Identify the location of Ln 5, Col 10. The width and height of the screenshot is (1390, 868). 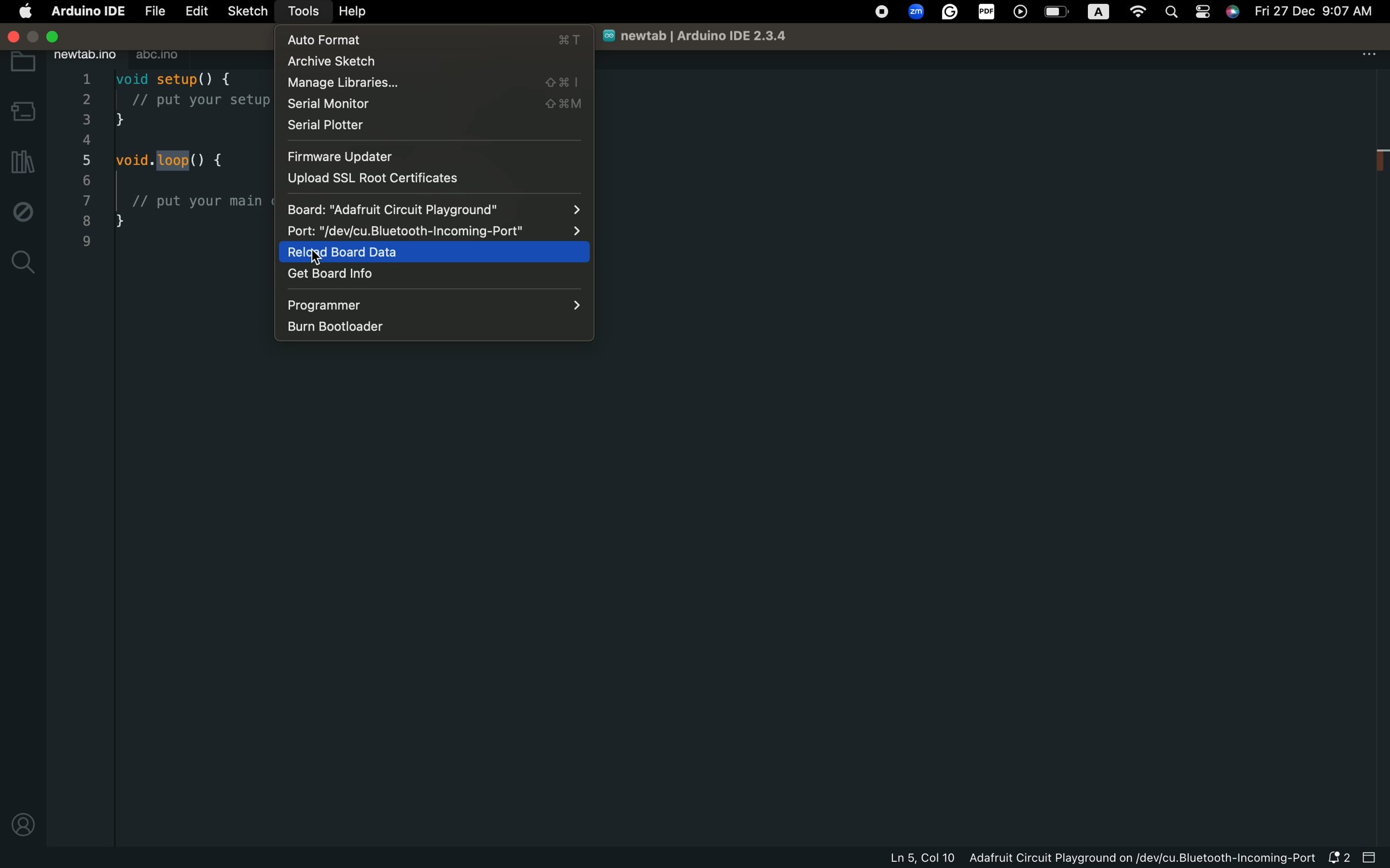
(921, 858).